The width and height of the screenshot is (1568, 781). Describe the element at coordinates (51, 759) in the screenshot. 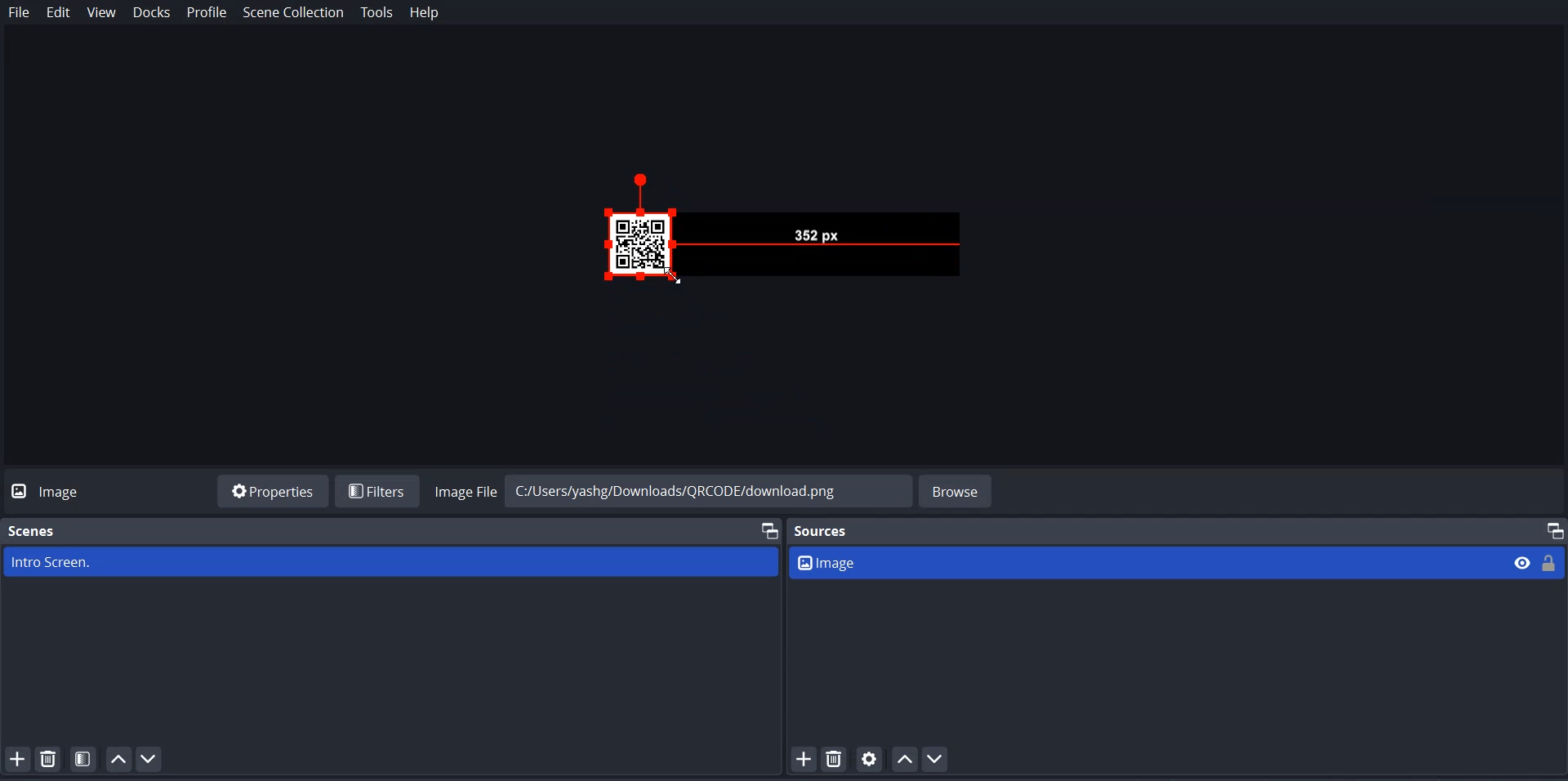

I see `Remove Selected Scene` at that location.